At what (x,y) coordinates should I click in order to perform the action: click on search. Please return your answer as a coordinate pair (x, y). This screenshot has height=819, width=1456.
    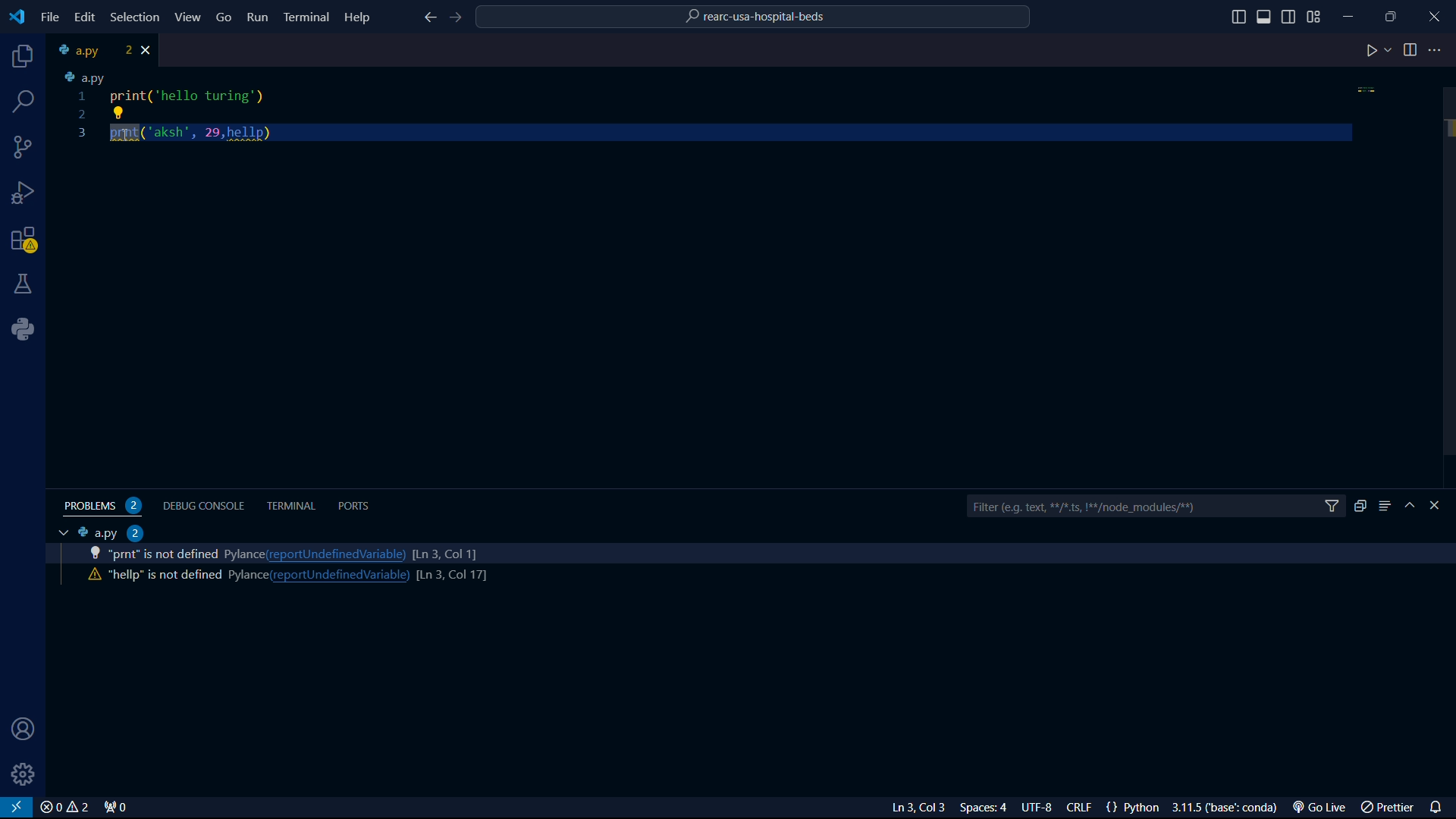
    Looking at the image, I should click on (25, 102).